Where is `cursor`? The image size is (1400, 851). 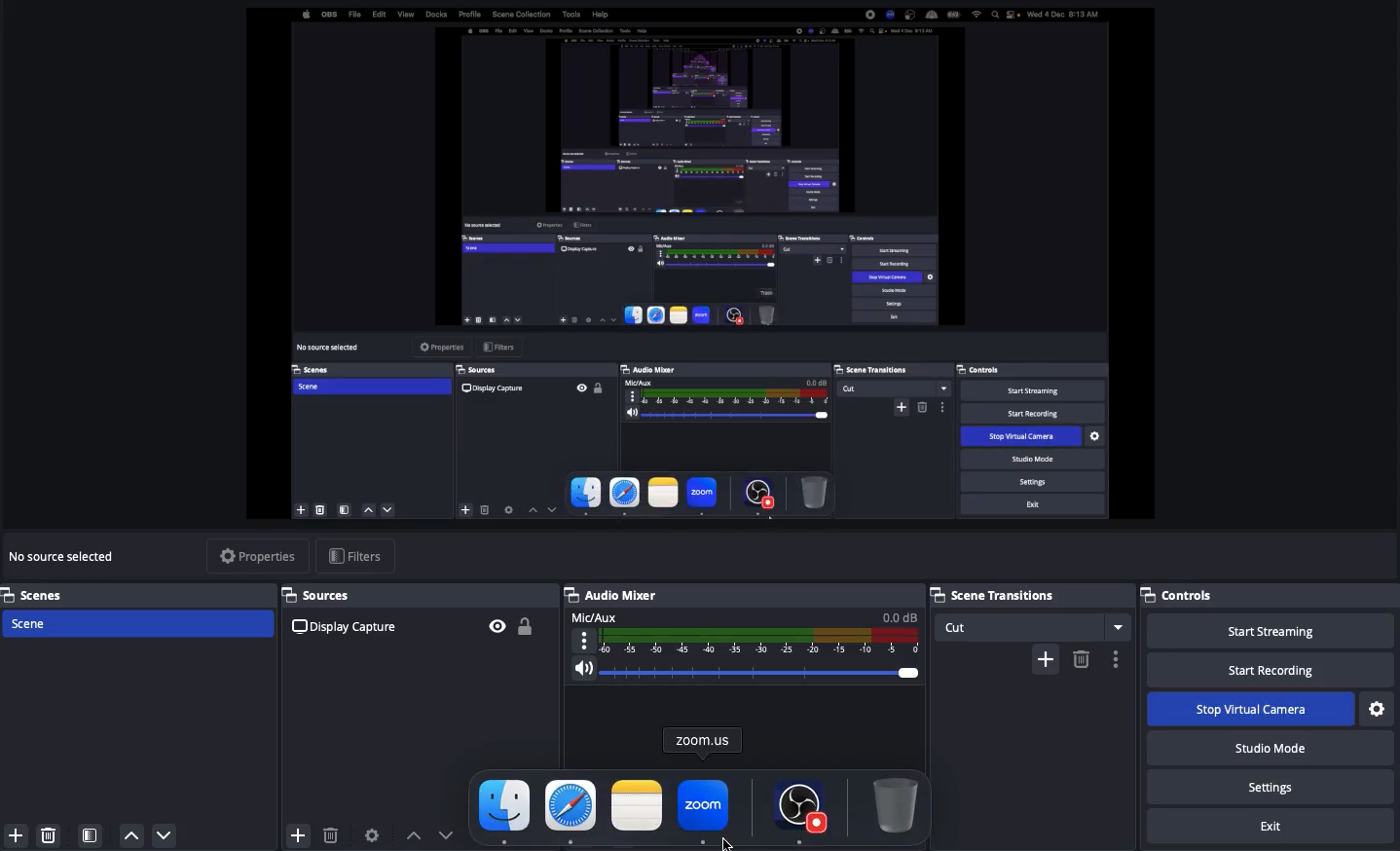
cursor is located at coordinates (733, 832).